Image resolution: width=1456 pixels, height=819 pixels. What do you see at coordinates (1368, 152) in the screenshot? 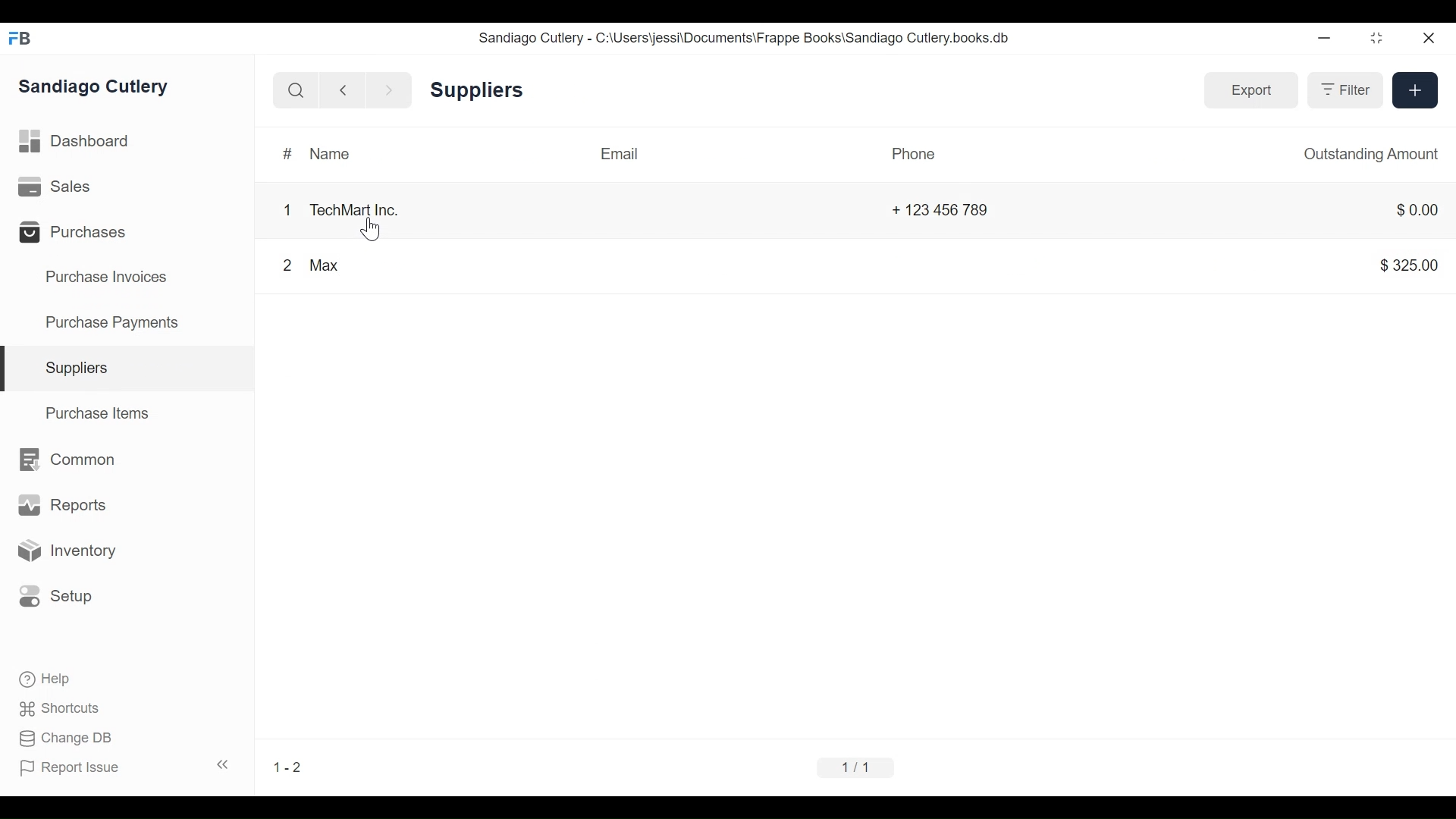
I see `Outstanding Amount` at bounding box center [1368, 152].